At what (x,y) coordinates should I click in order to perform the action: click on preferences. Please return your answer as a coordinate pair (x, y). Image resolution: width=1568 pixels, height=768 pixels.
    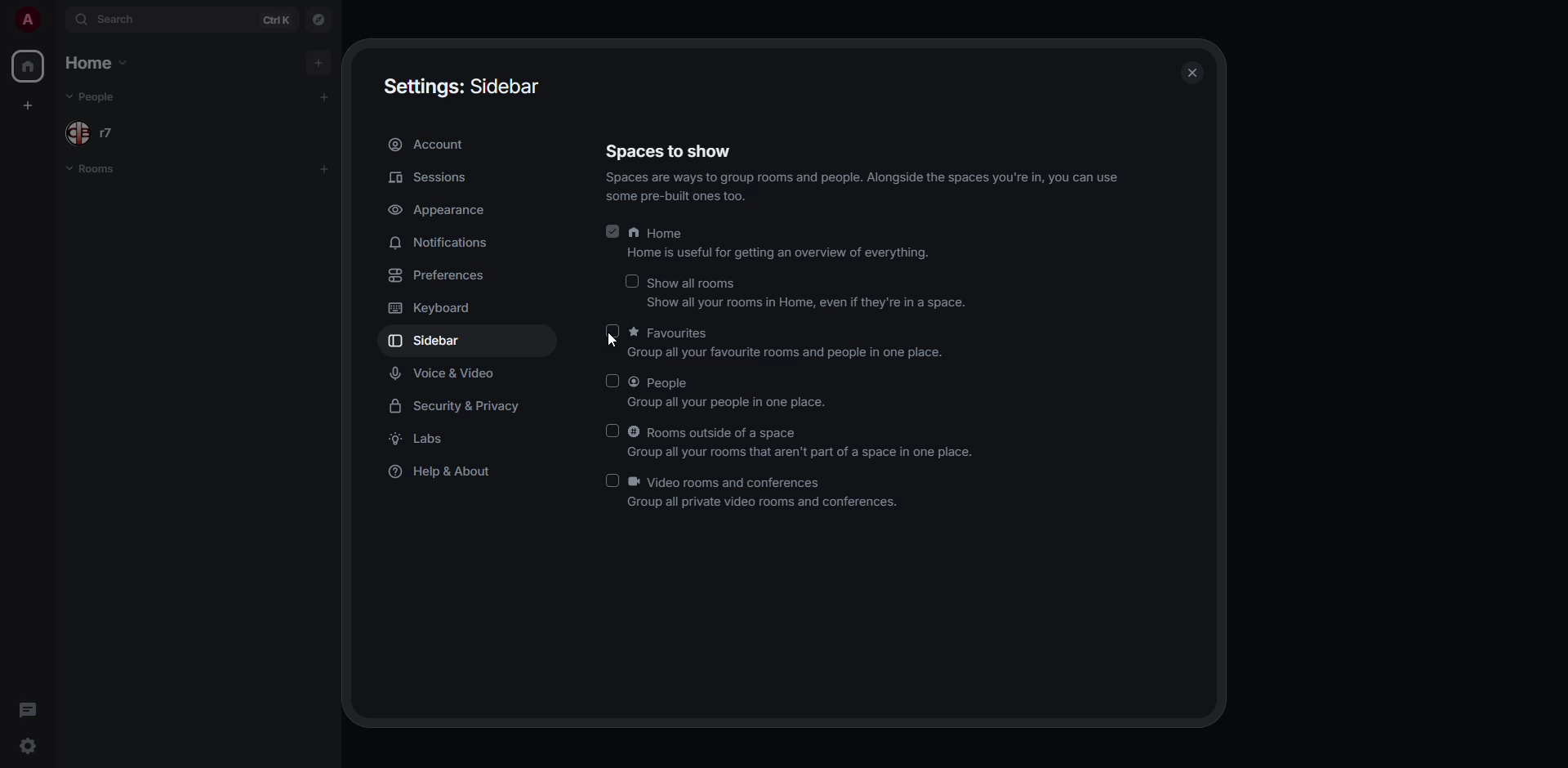
    Looking at the image, I should click on (442, 275).